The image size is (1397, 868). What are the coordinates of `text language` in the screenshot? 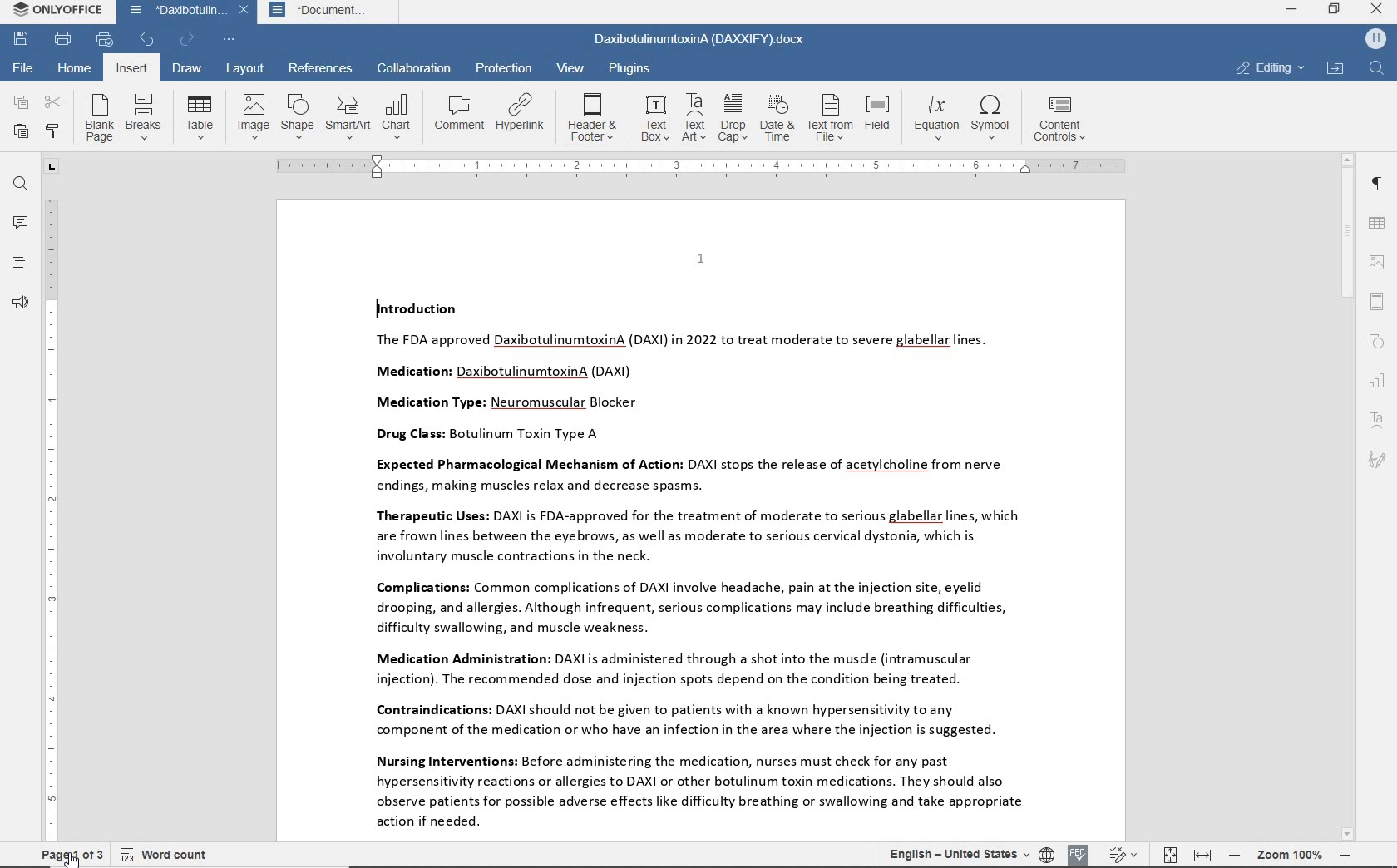 It's located at (954, 853).